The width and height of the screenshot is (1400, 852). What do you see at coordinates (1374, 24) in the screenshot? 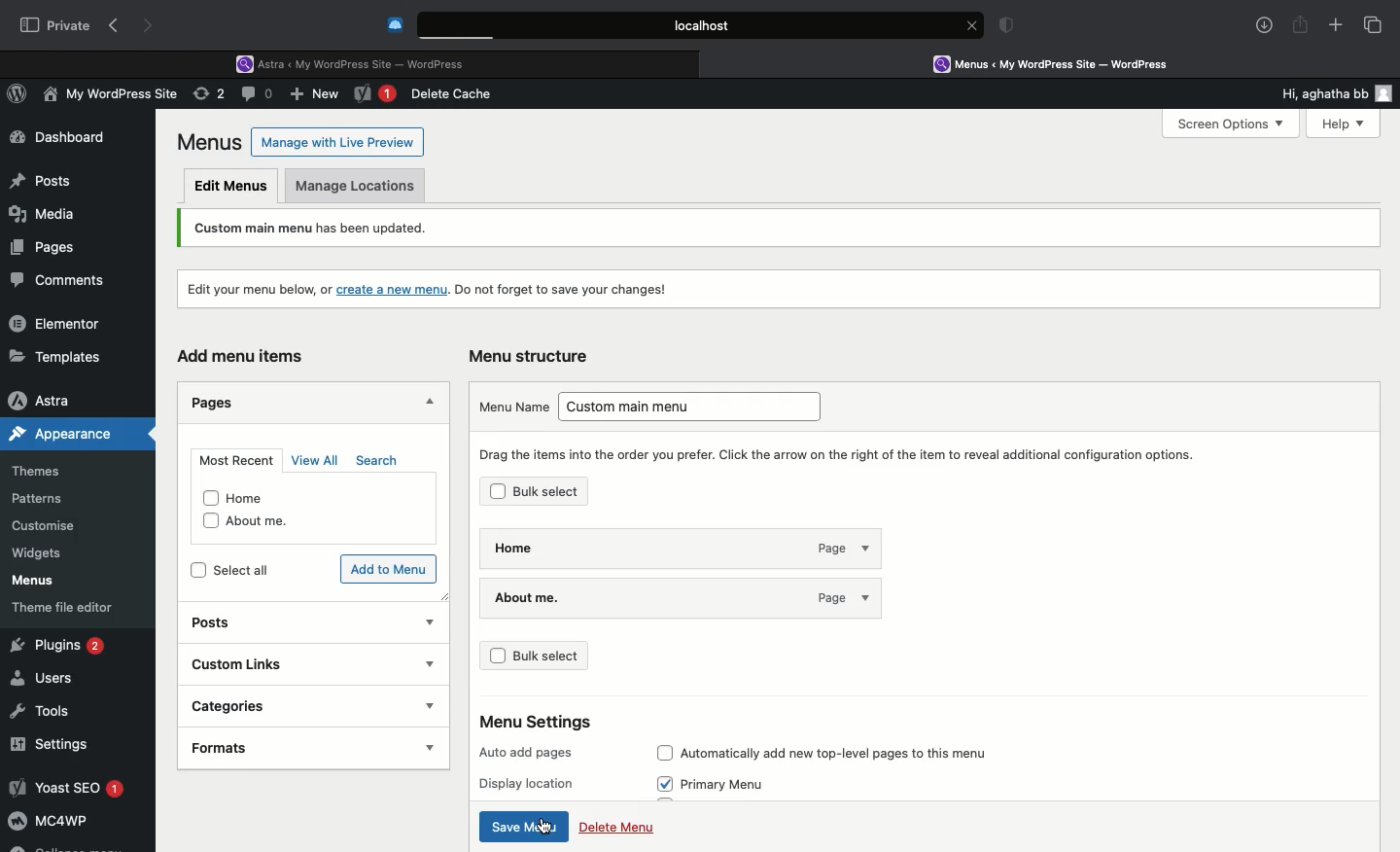
I see `Tabs` at bounding box center [1374, 24].